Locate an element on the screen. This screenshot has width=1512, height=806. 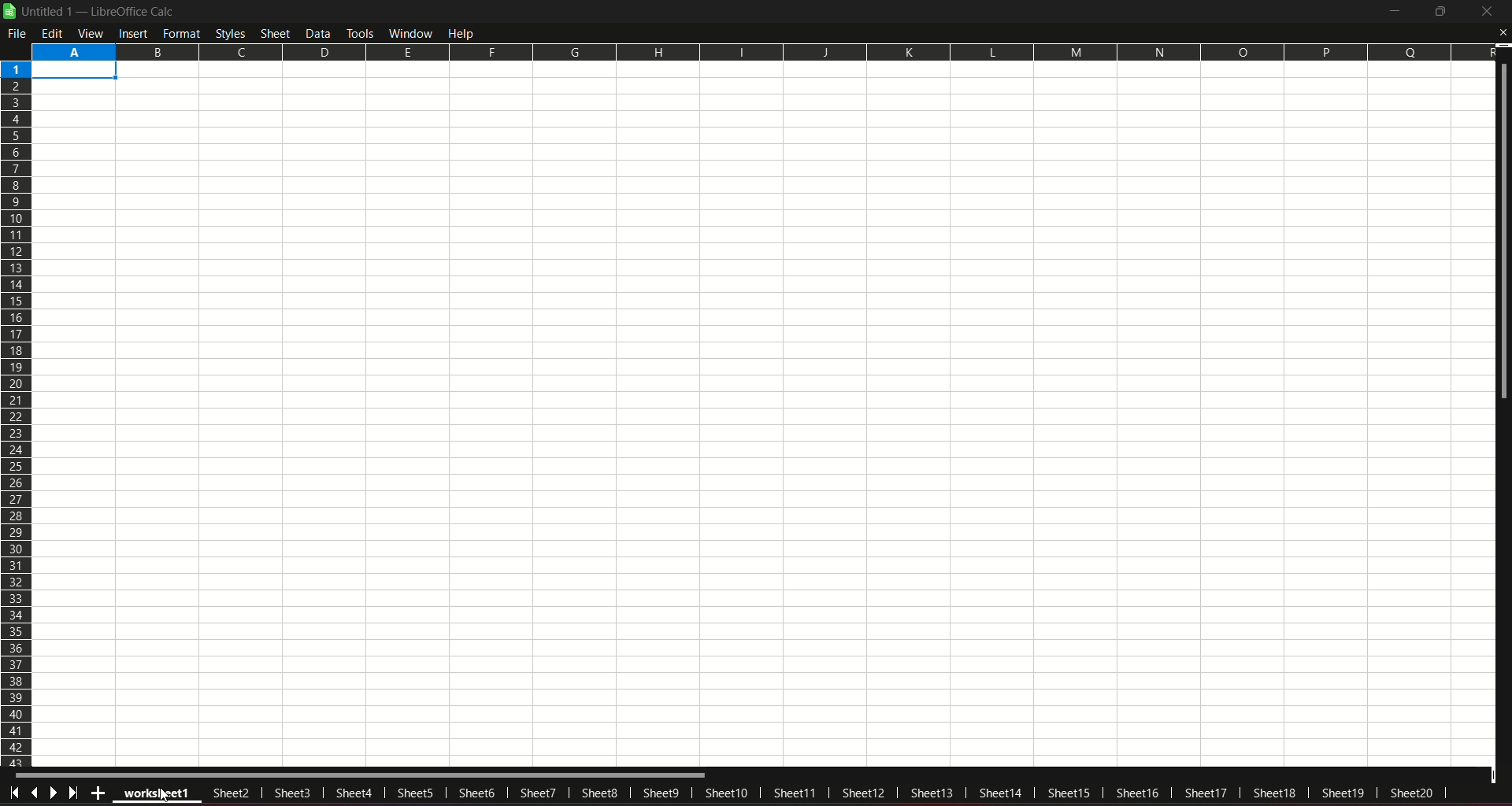
Minimize is located at coordinates (1392, 12).